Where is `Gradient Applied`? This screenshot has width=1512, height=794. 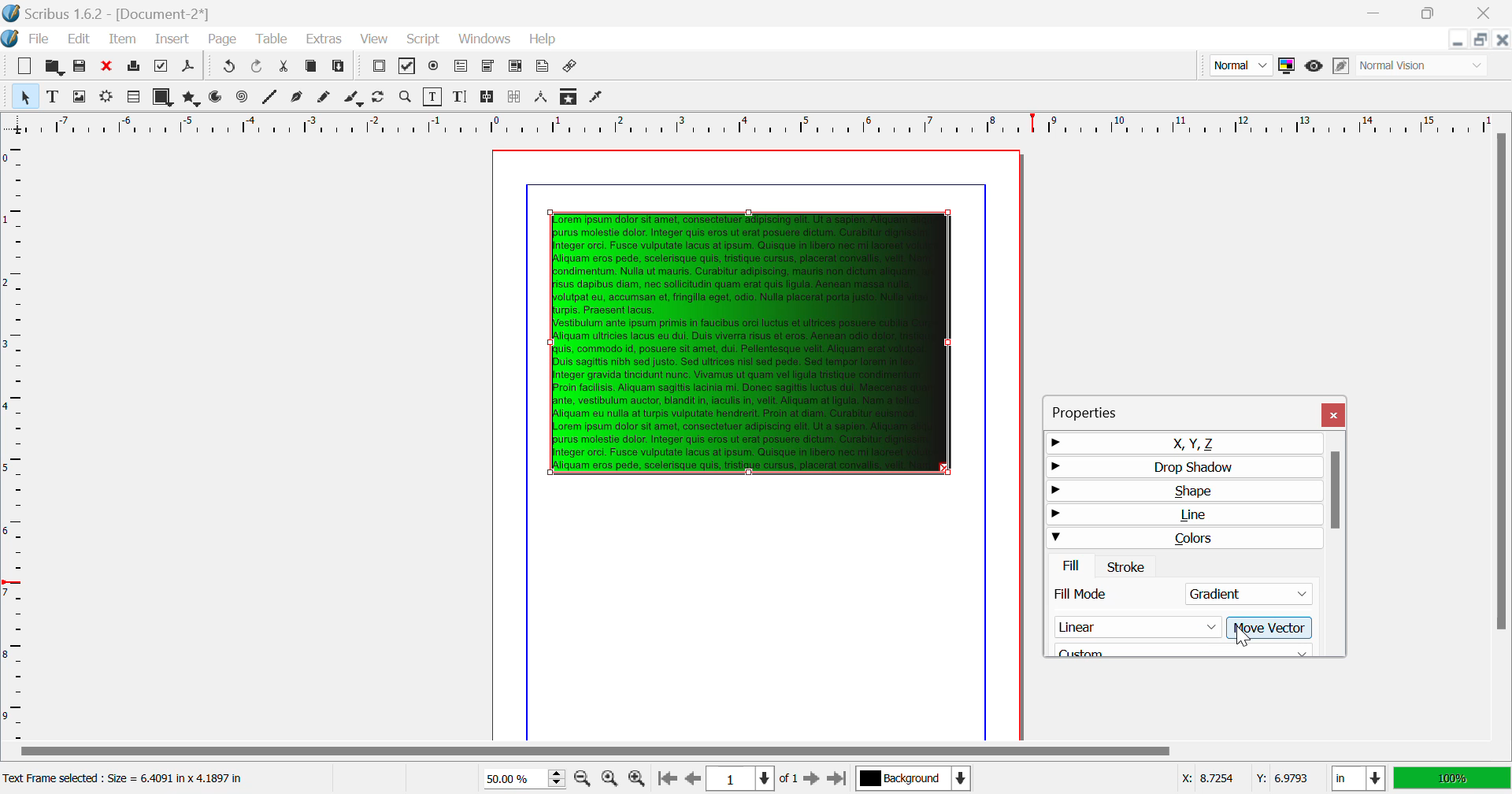
Gradient Applied is located at coordinates (751, 339).